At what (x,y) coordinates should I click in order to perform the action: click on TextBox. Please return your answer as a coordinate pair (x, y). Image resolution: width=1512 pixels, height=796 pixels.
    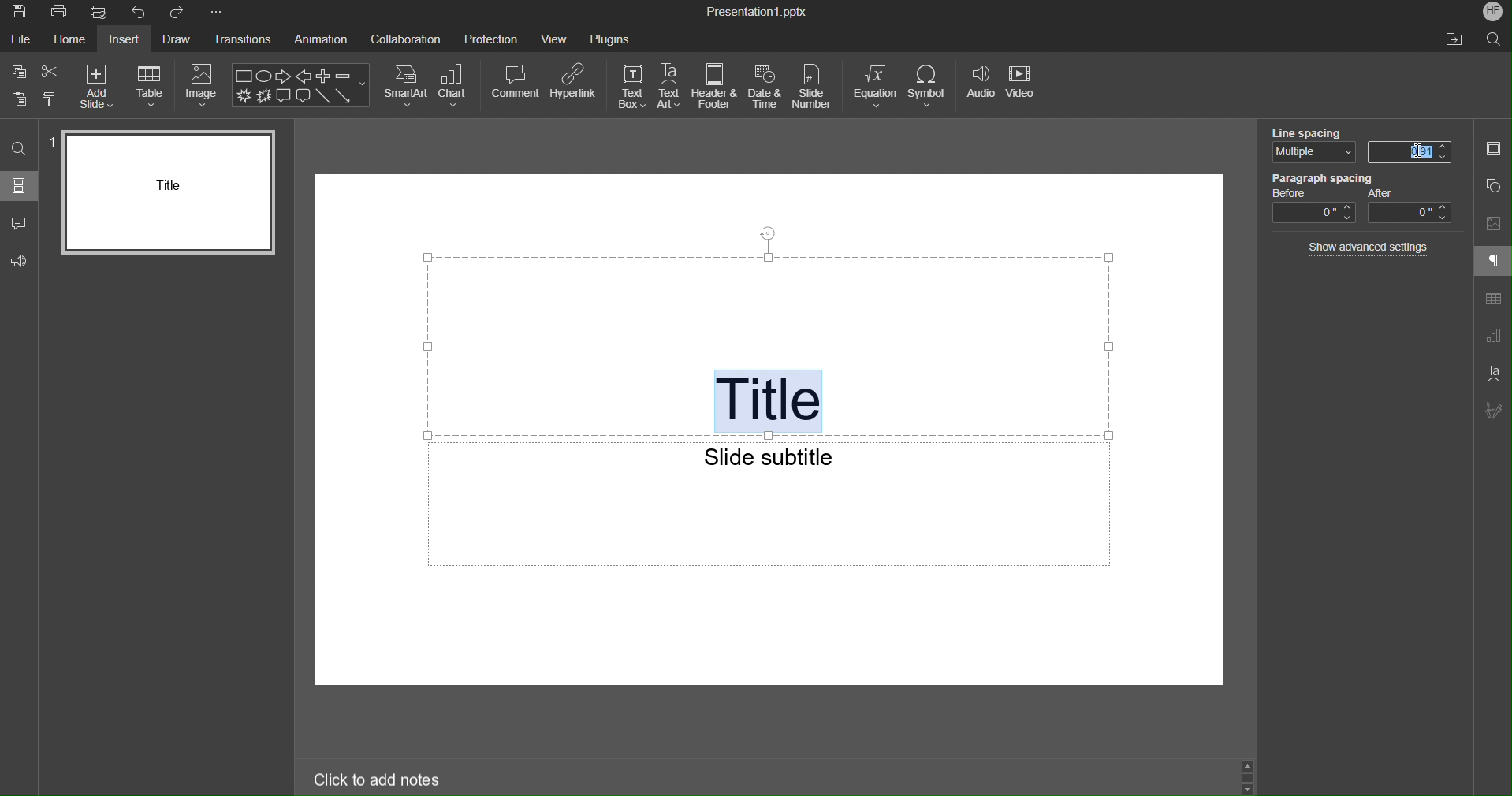
    Looking at the image, I should click on (634, 86).